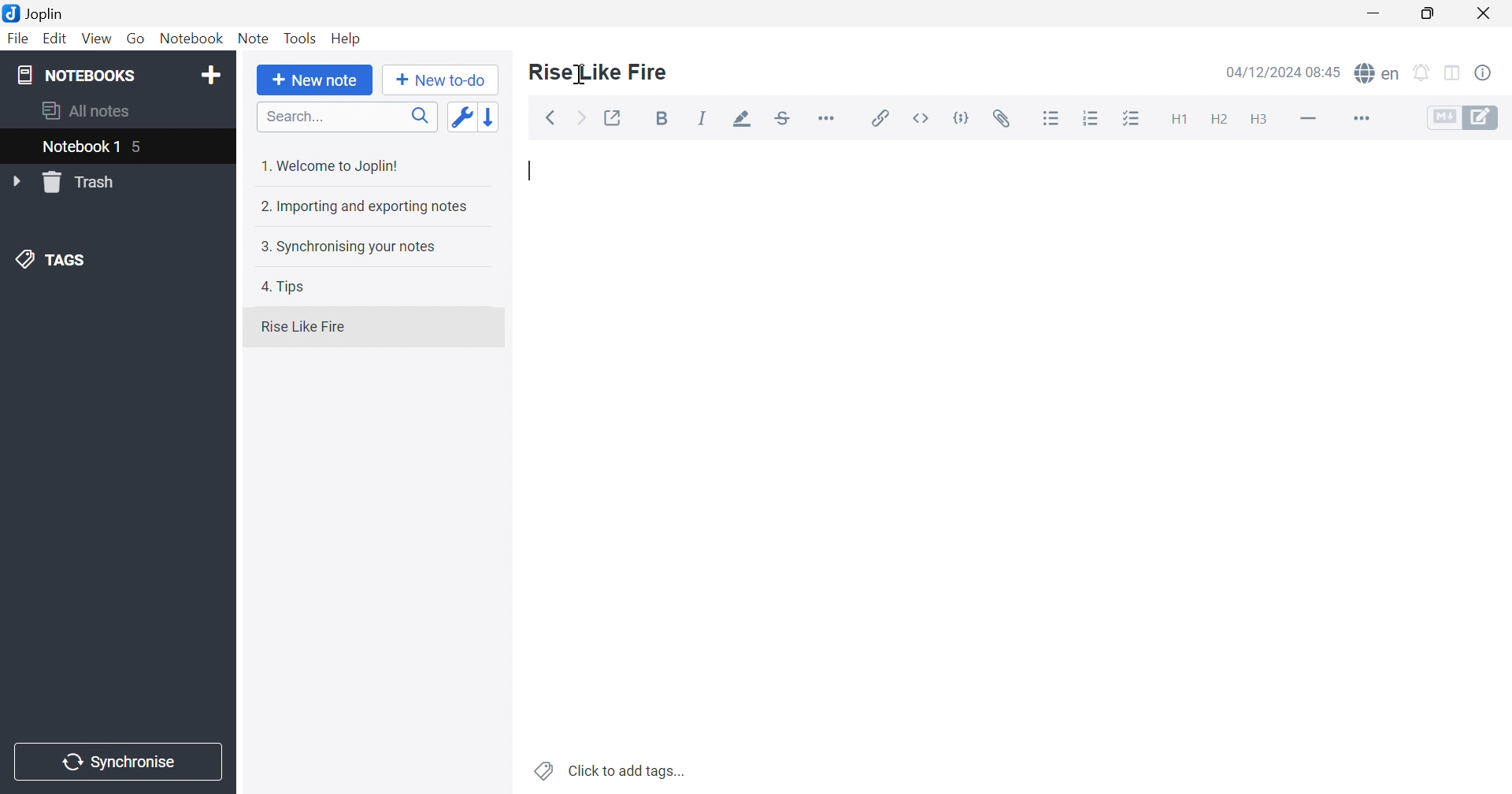 This screenshot has height=794, width=1512. Describe the element at coordinates (1053, 121) in the screenshot. I see `Bulleted list` at that location.